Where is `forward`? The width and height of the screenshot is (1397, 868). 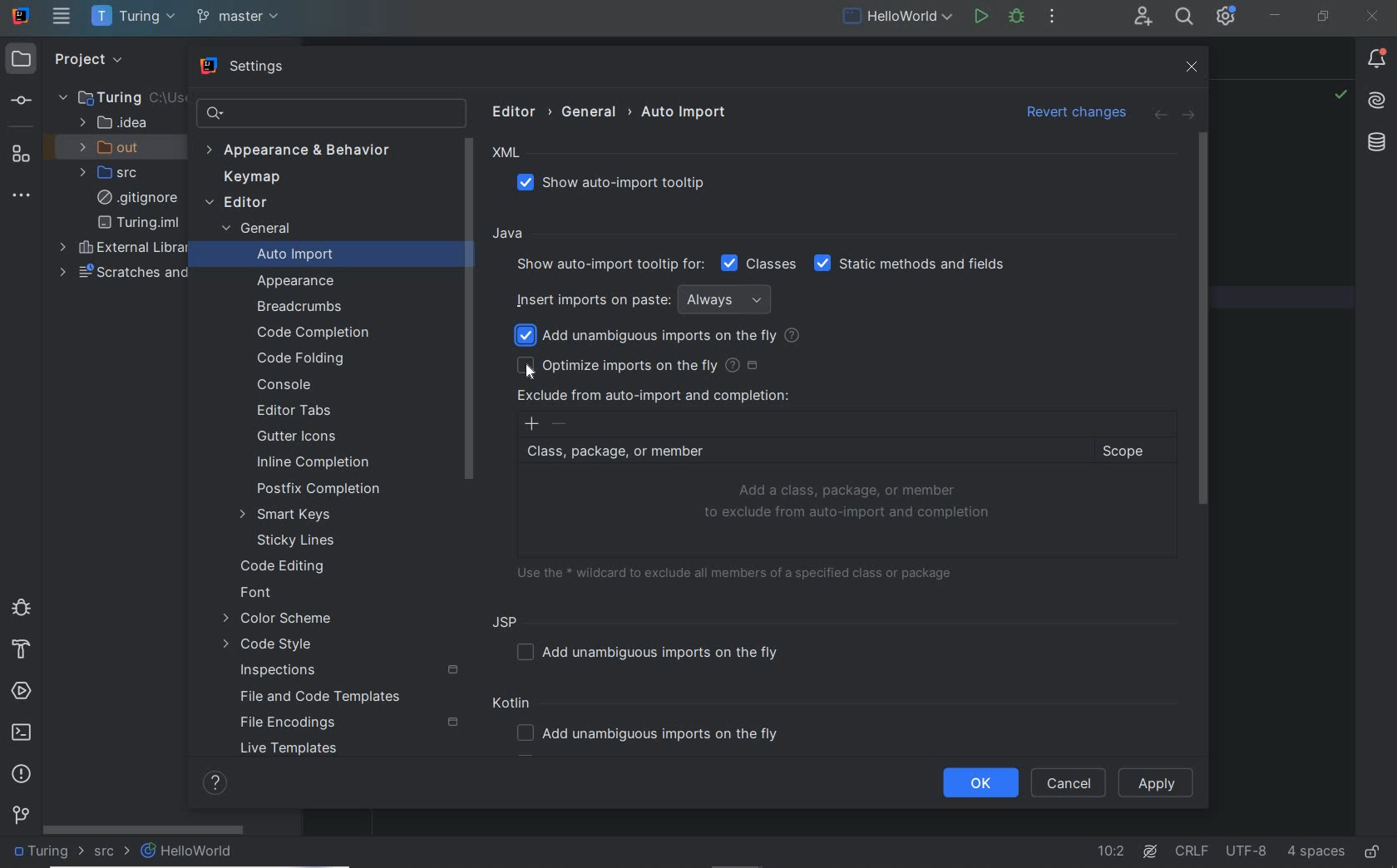 forward is located at coordinates (1187, 116).